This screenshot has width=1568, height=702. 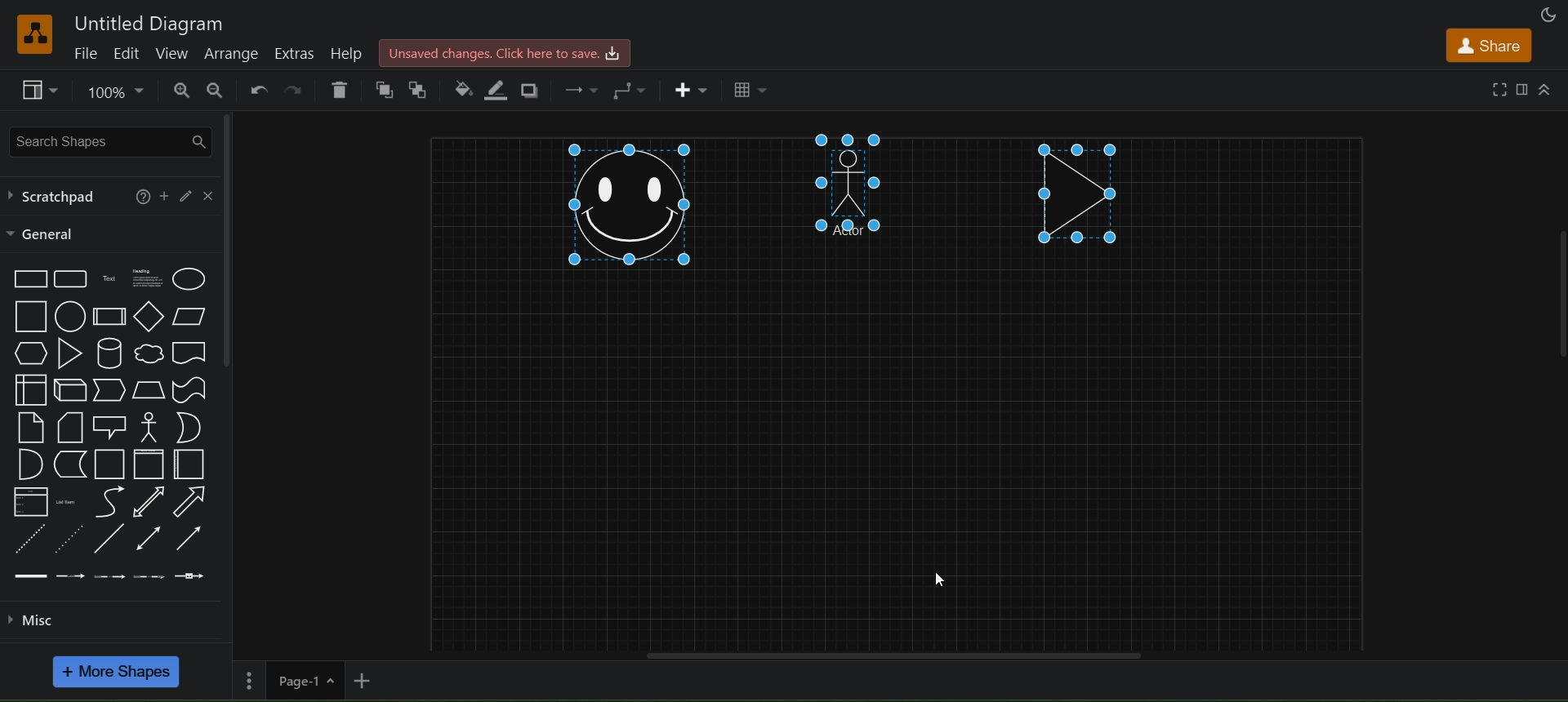 What do you see at coordinates (148, 389) in the screenshot?
I see `trapezoid` at bounding box center [148, 389].